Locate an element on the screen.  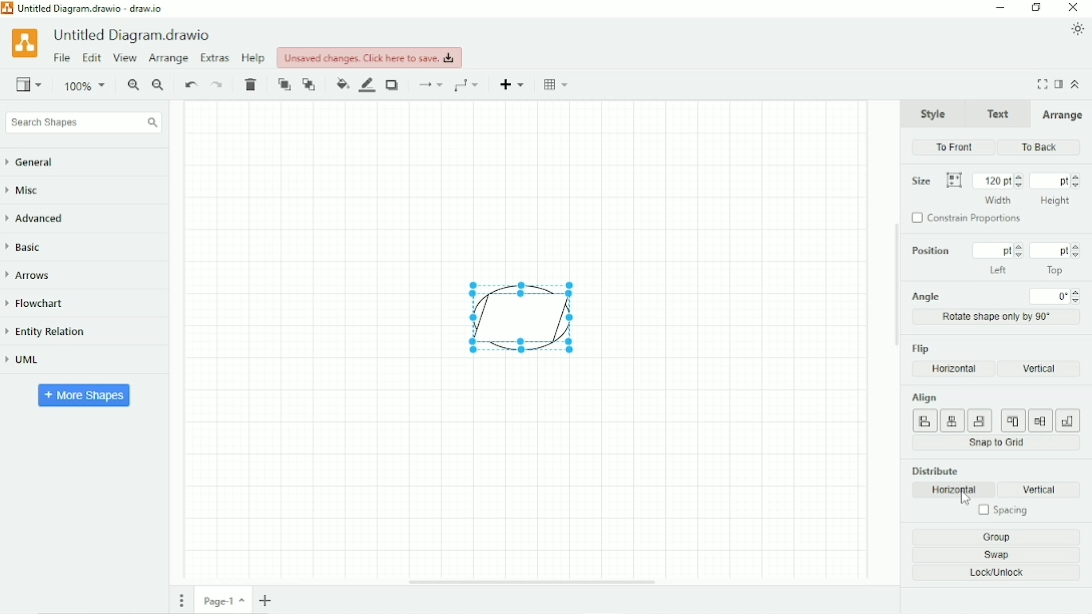
Waypoints is located at coordinates (469, 85).